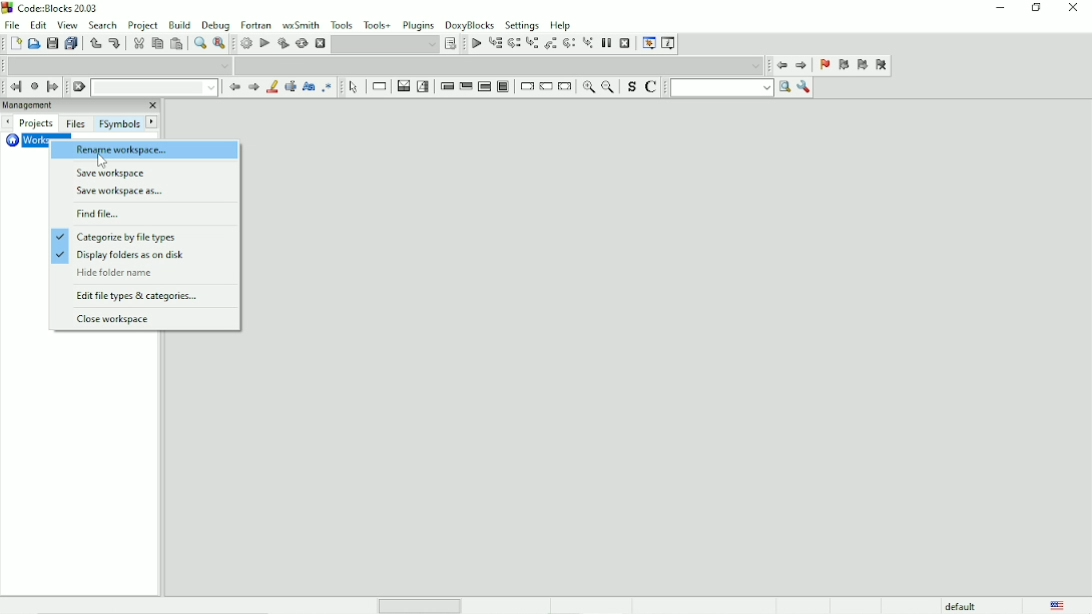  Describe the element at coordinates (484, 87) in the screenshot. I see `Counting loop` at that location.